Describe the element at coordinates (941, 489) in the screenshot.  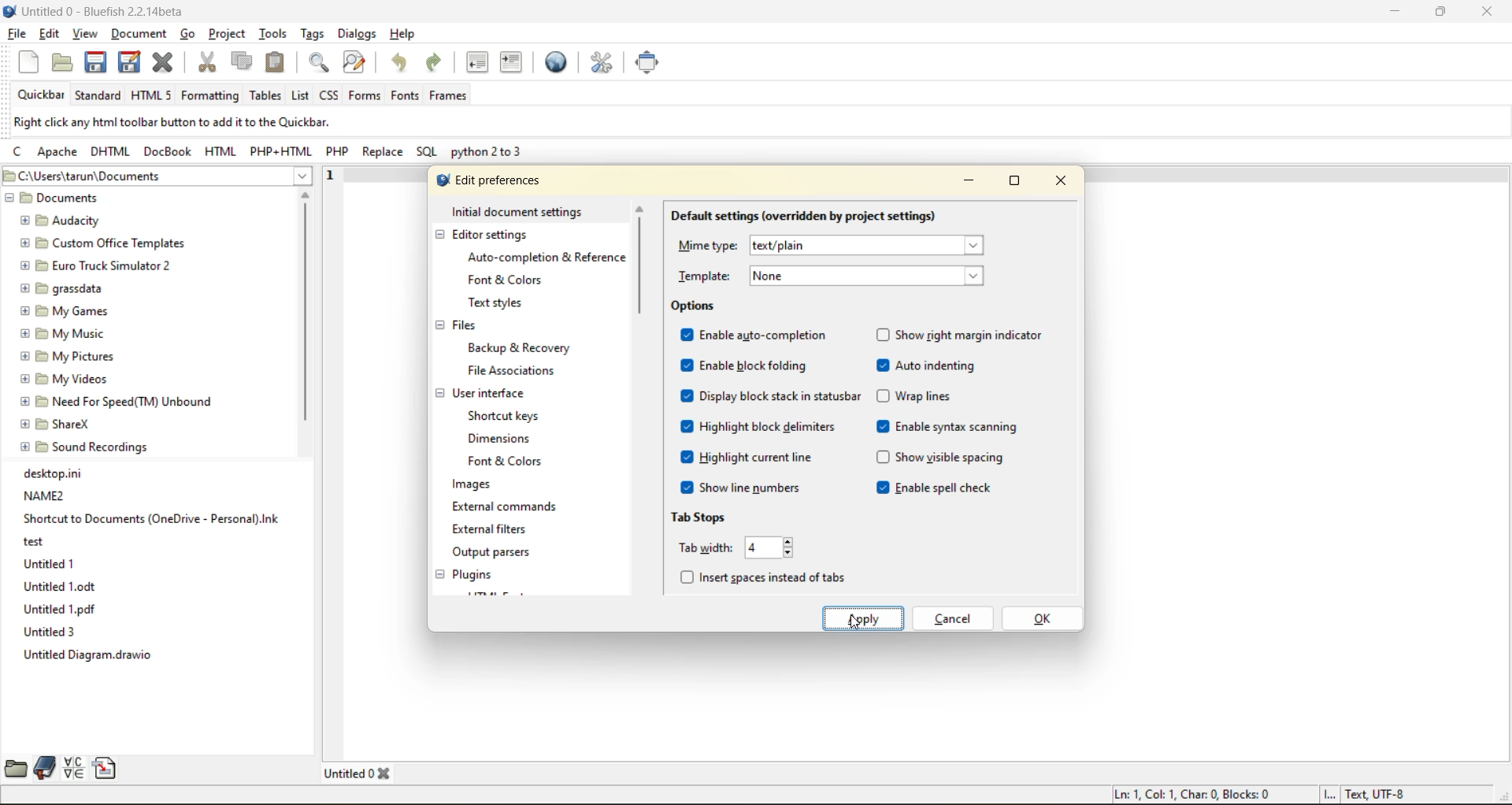
I see `enable spell check` at that location.